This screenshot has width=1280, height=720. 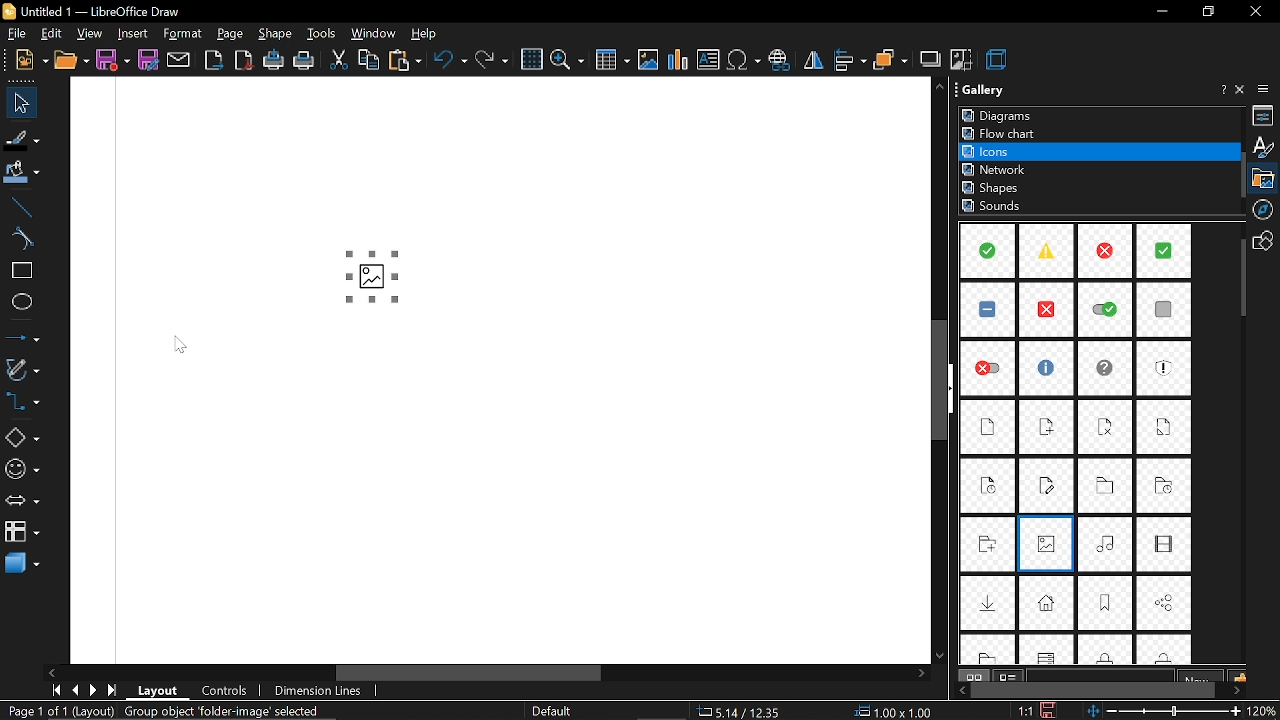 I want to click on flowchart, so click(x=20, y=532).